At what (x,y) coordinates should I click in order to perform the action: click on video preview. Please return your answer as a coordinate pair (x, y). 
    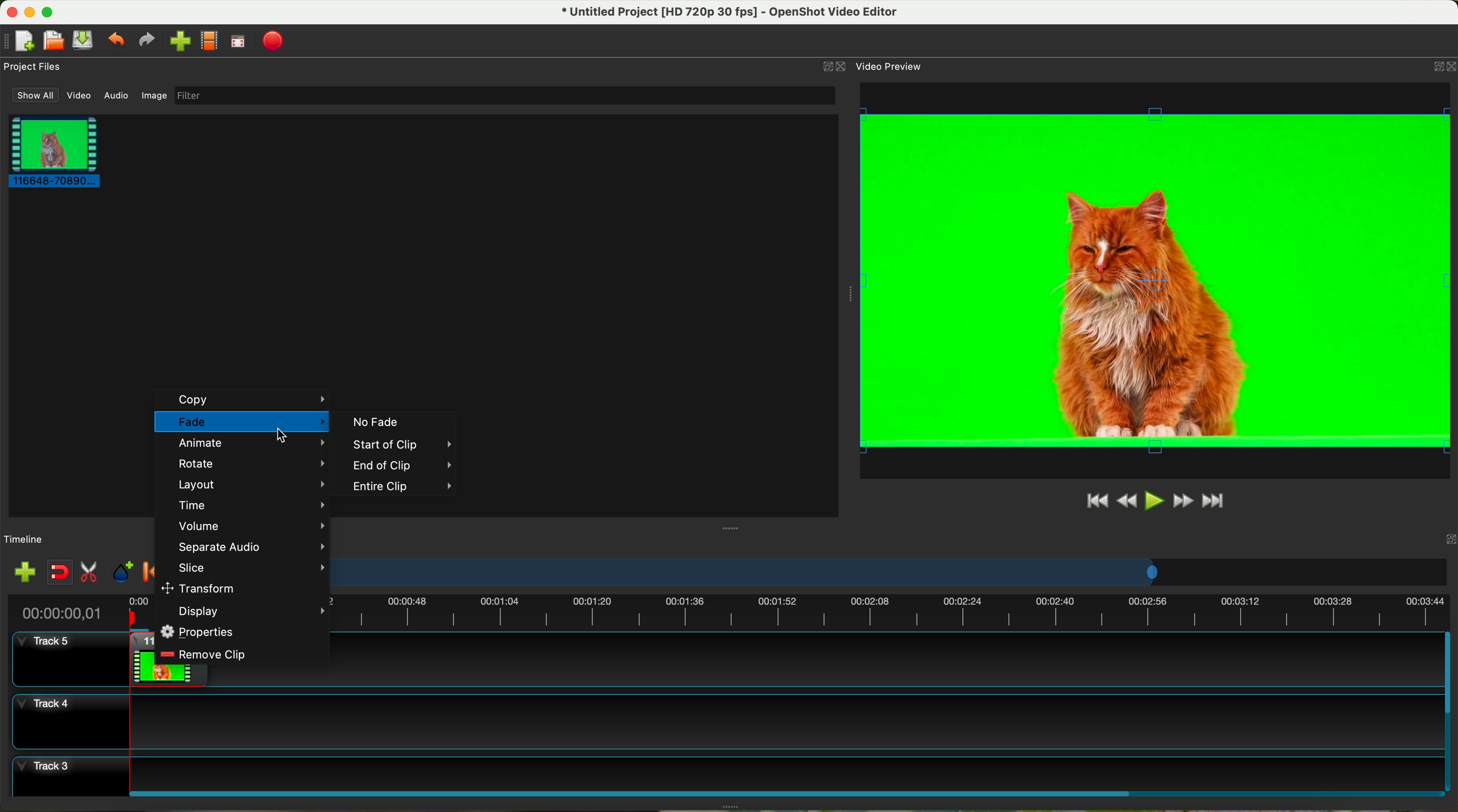
    Looking at the image, I should click on (891, 66).